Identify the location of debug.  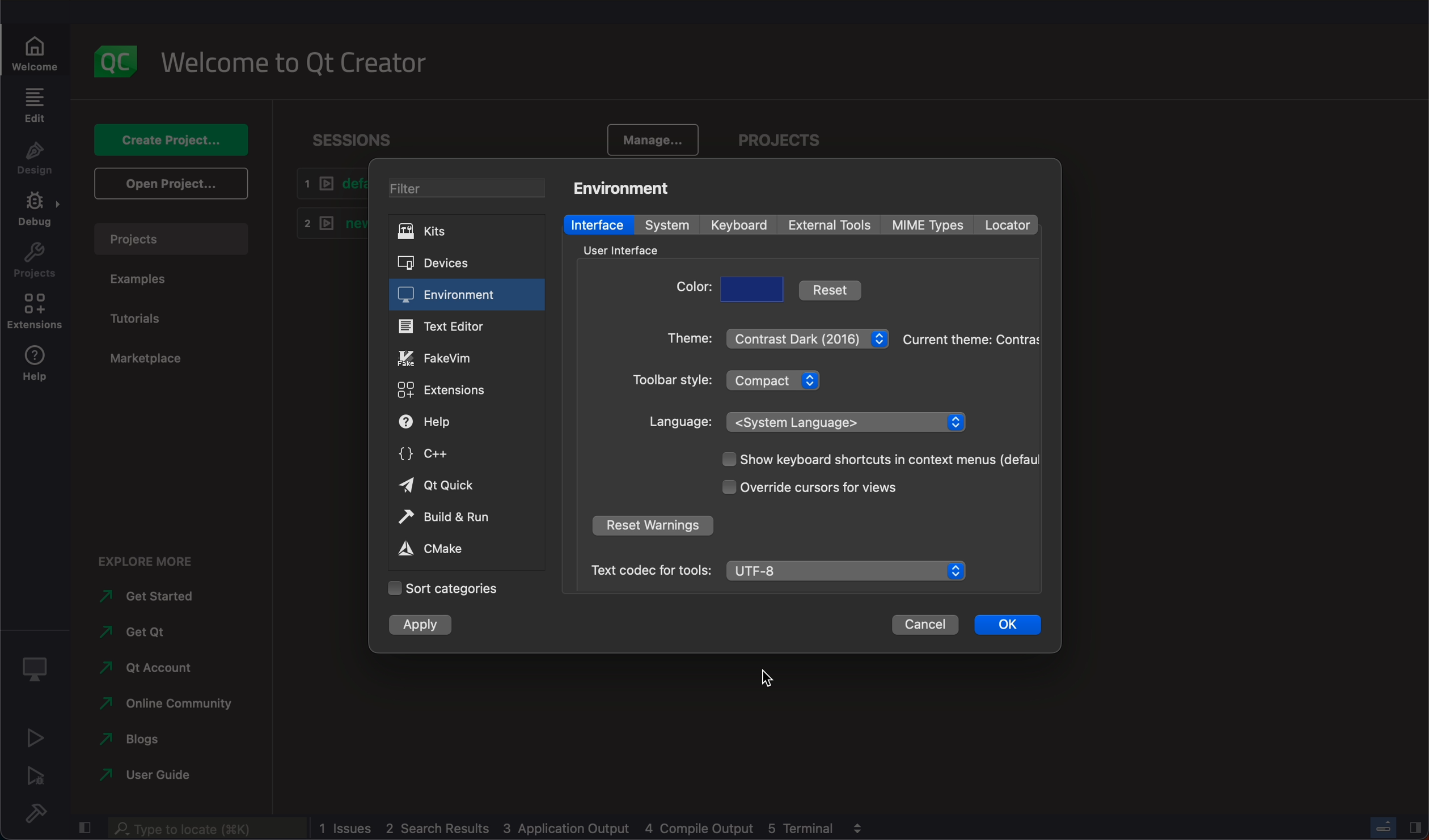
(39, 213).